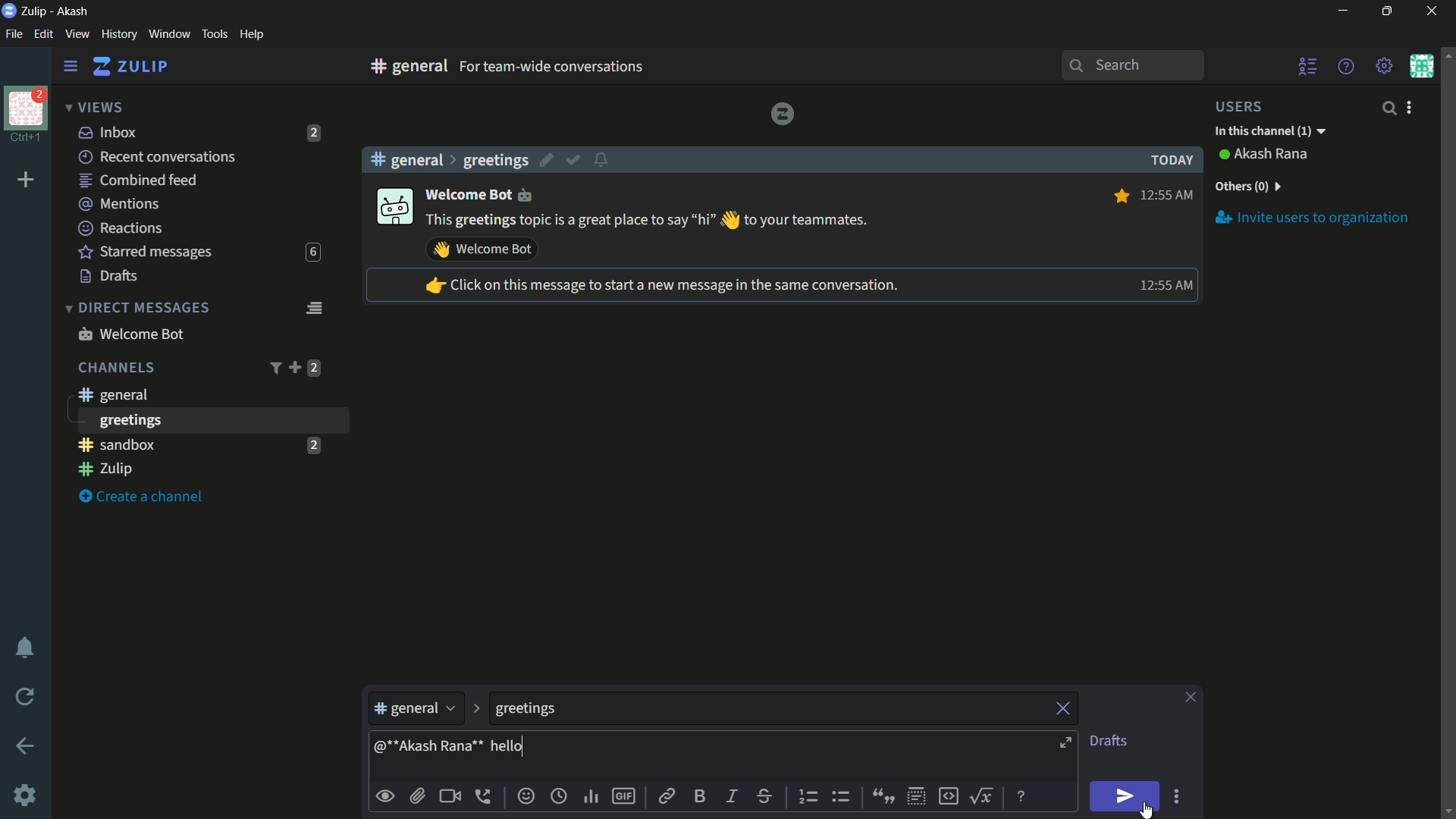  What do you see at coordinates (1168, 160) in the screenshot?
I see `today` at bounding box center [1168, 160].